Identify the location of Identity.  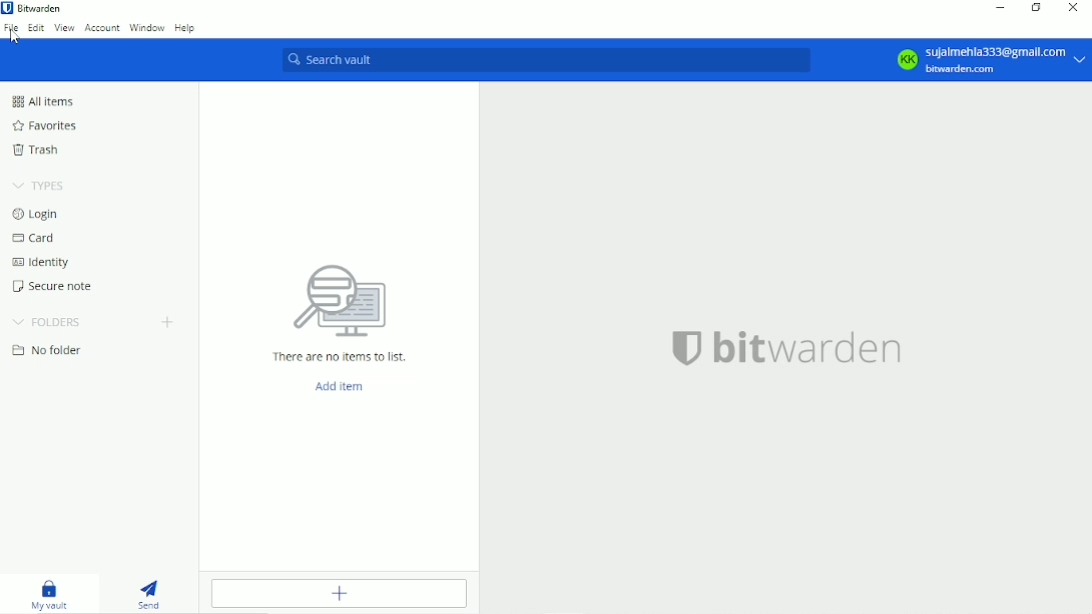
(44, 263).